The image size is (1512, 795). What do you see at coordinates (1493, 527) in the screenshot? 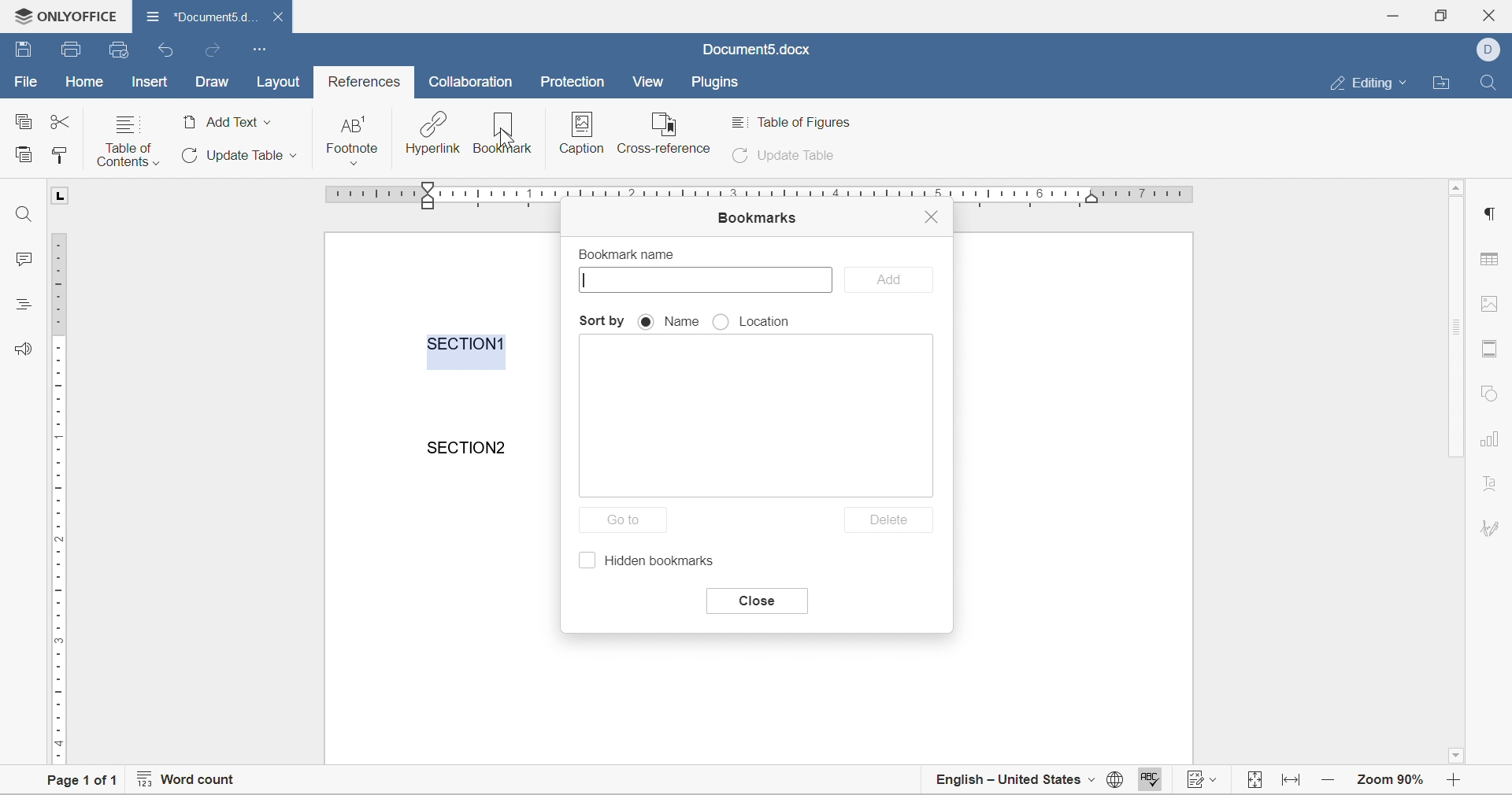
I see `signature settings` at bounding box center [1493, 527].